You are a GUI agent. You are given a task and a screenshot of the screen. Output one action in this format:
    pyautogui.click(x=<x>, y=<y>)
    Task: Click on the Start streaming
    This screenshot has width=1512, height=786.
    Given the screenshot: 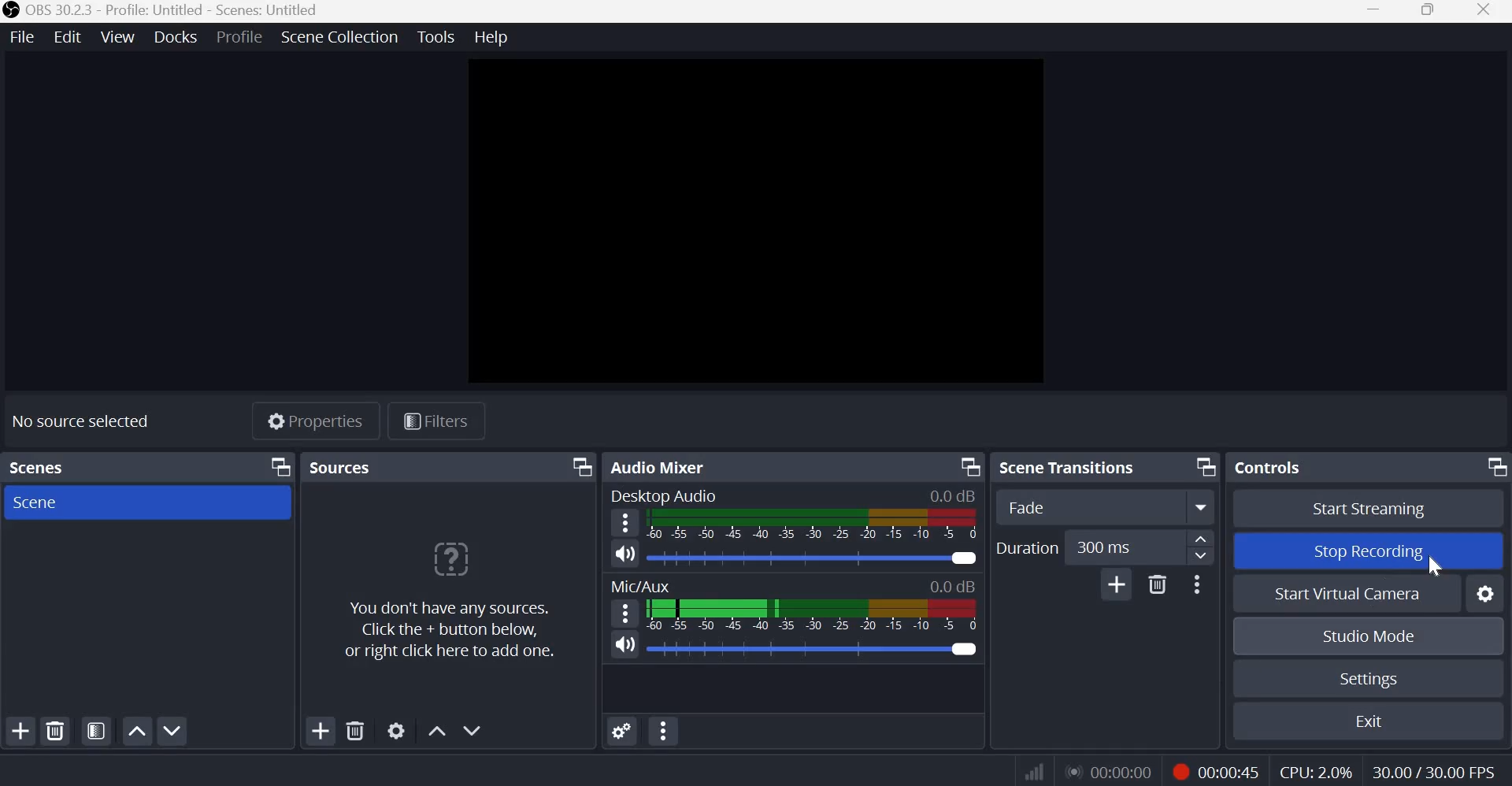 What is the action you would take?
    pyautogui.click(x=1366, y=509)
    